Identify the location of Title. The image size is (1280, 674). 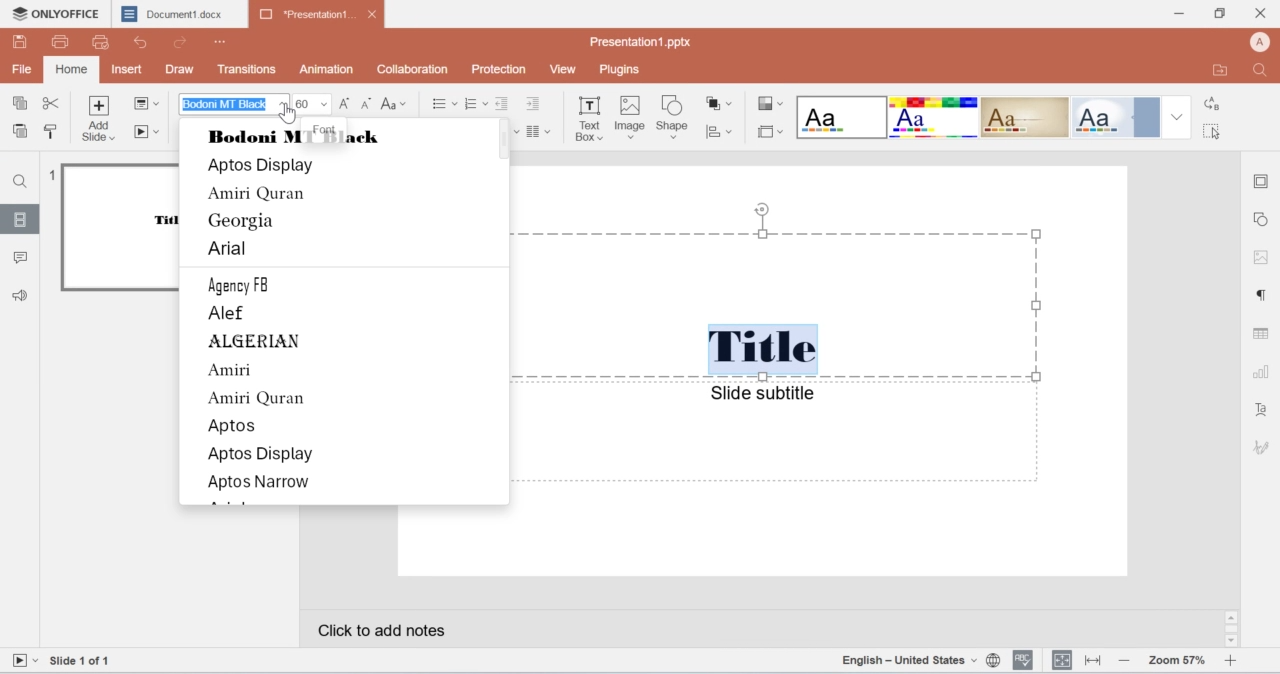
(763, 348).